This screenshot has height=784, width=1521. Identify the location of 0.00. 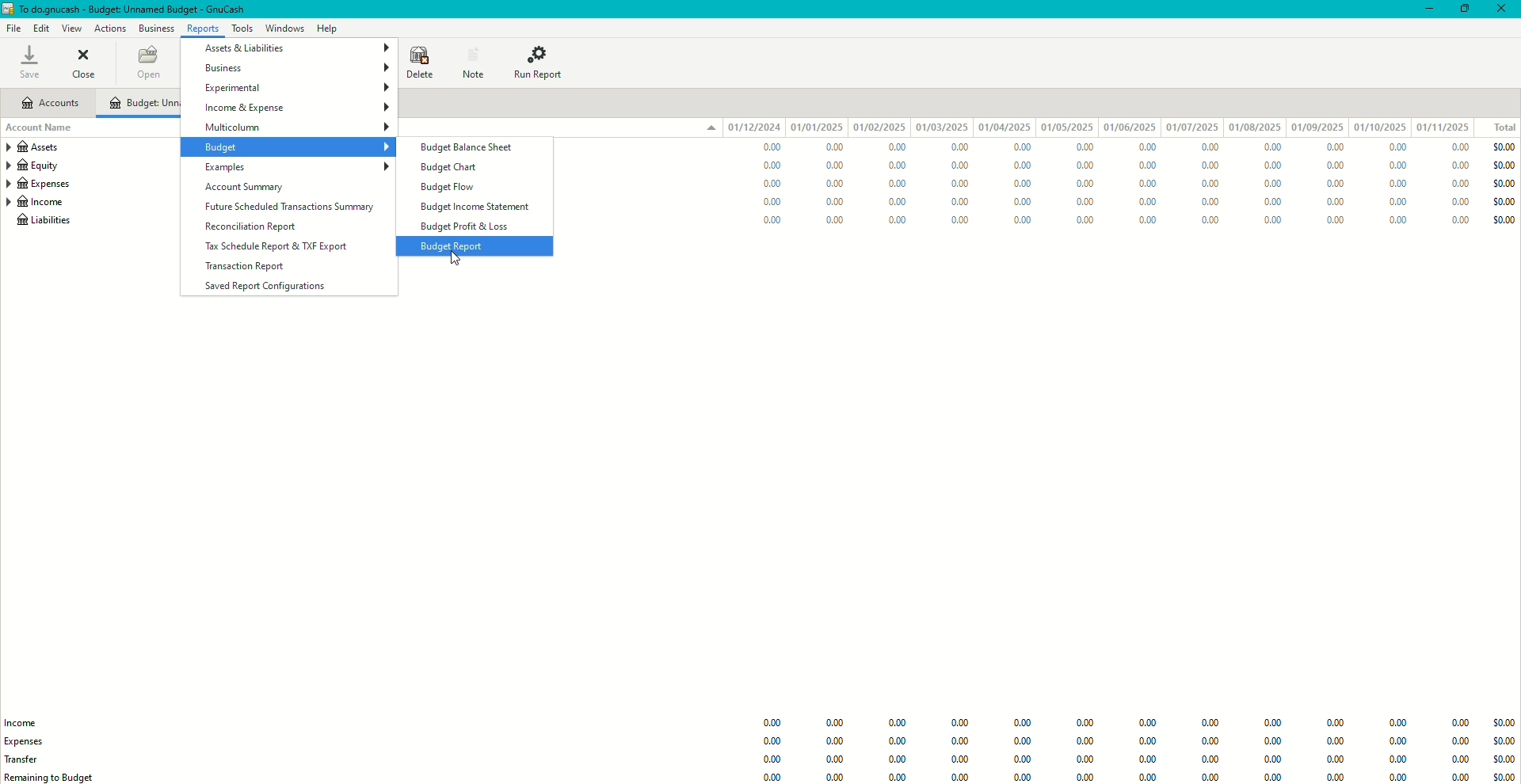
(1458, 183).